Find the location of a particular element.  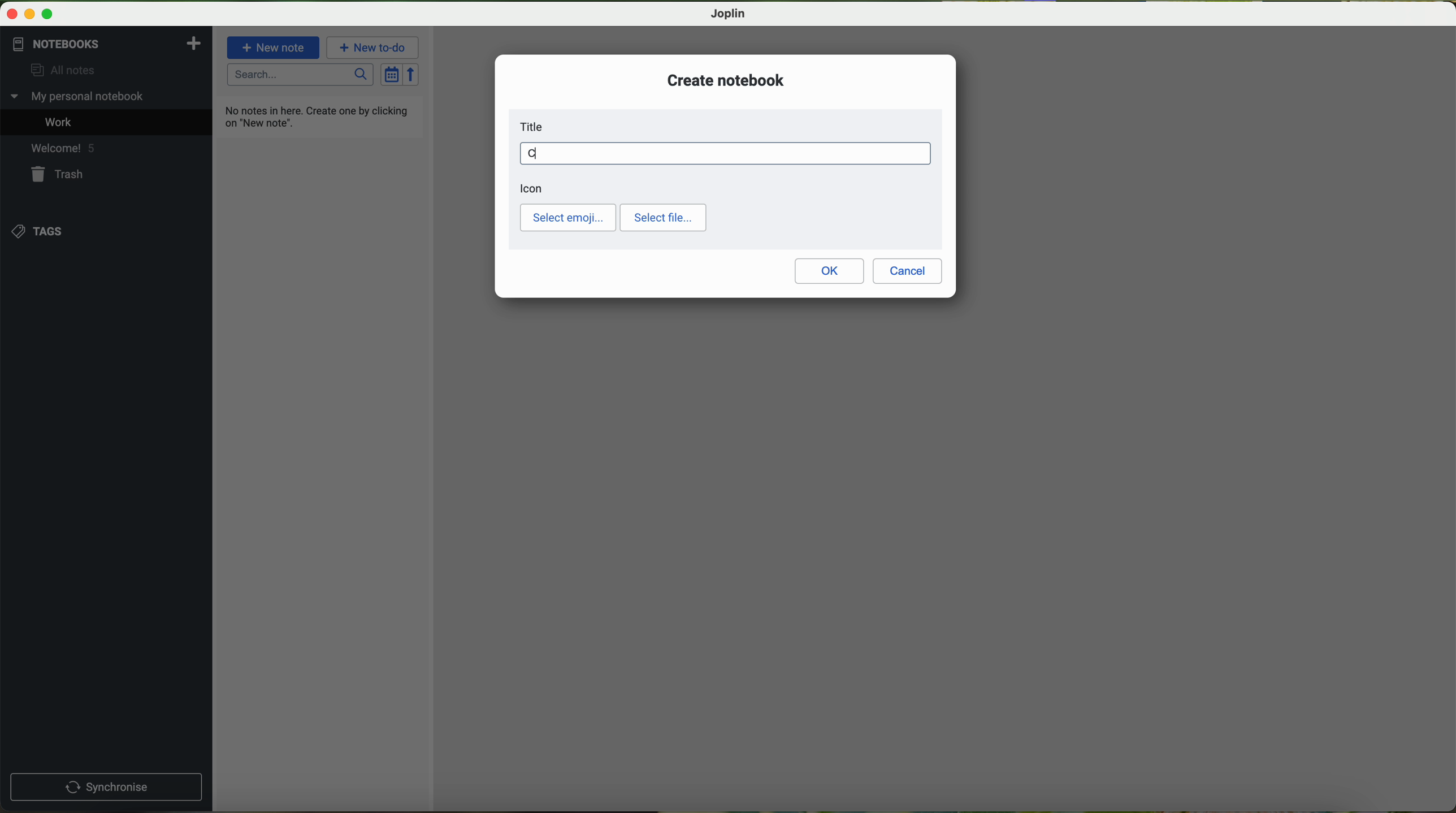

tags is located at coordinates (40, 231).